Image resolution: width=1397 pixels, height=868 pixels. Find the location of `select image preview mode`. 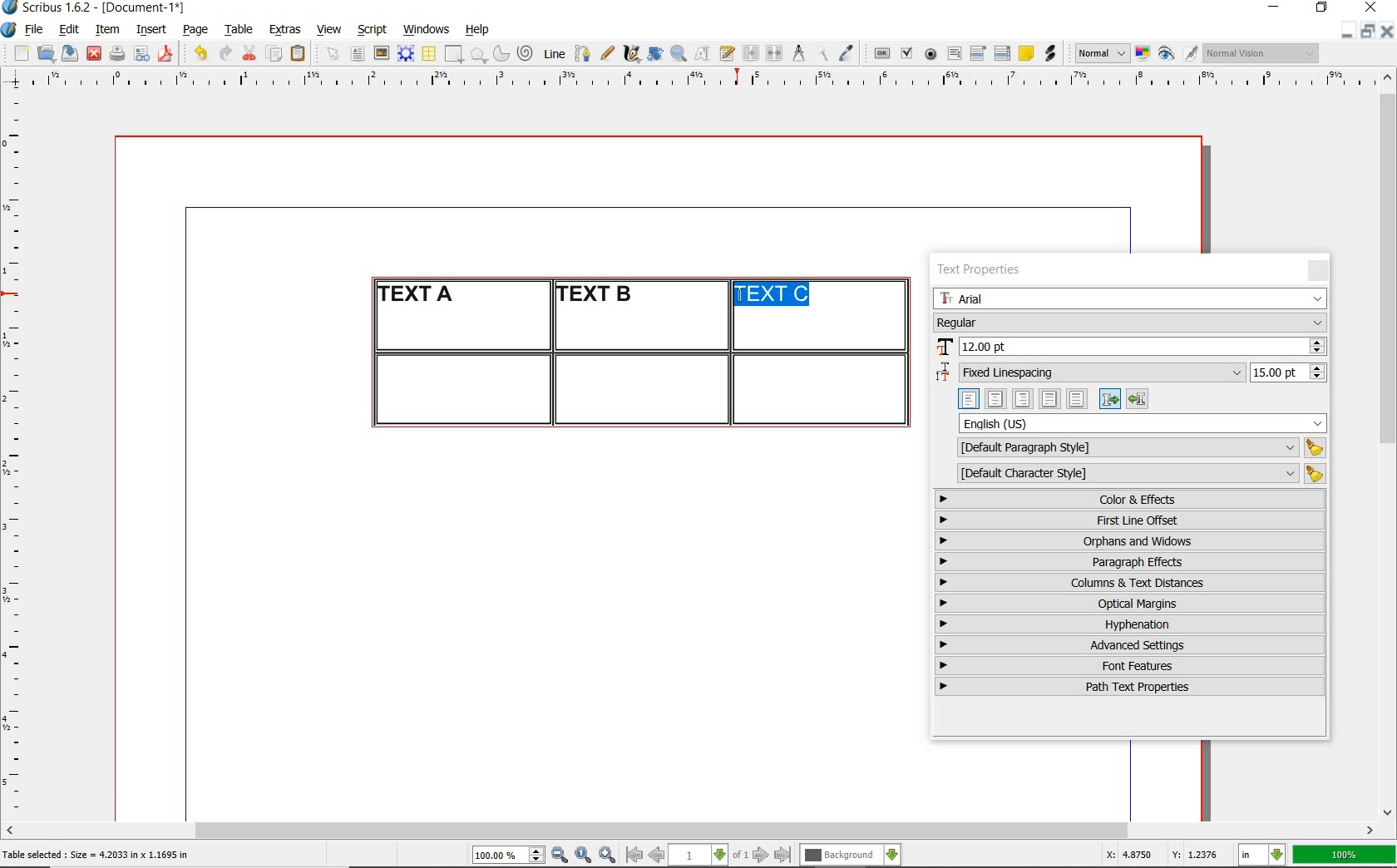

select image preview mode is located at coordinates (1101, 54).